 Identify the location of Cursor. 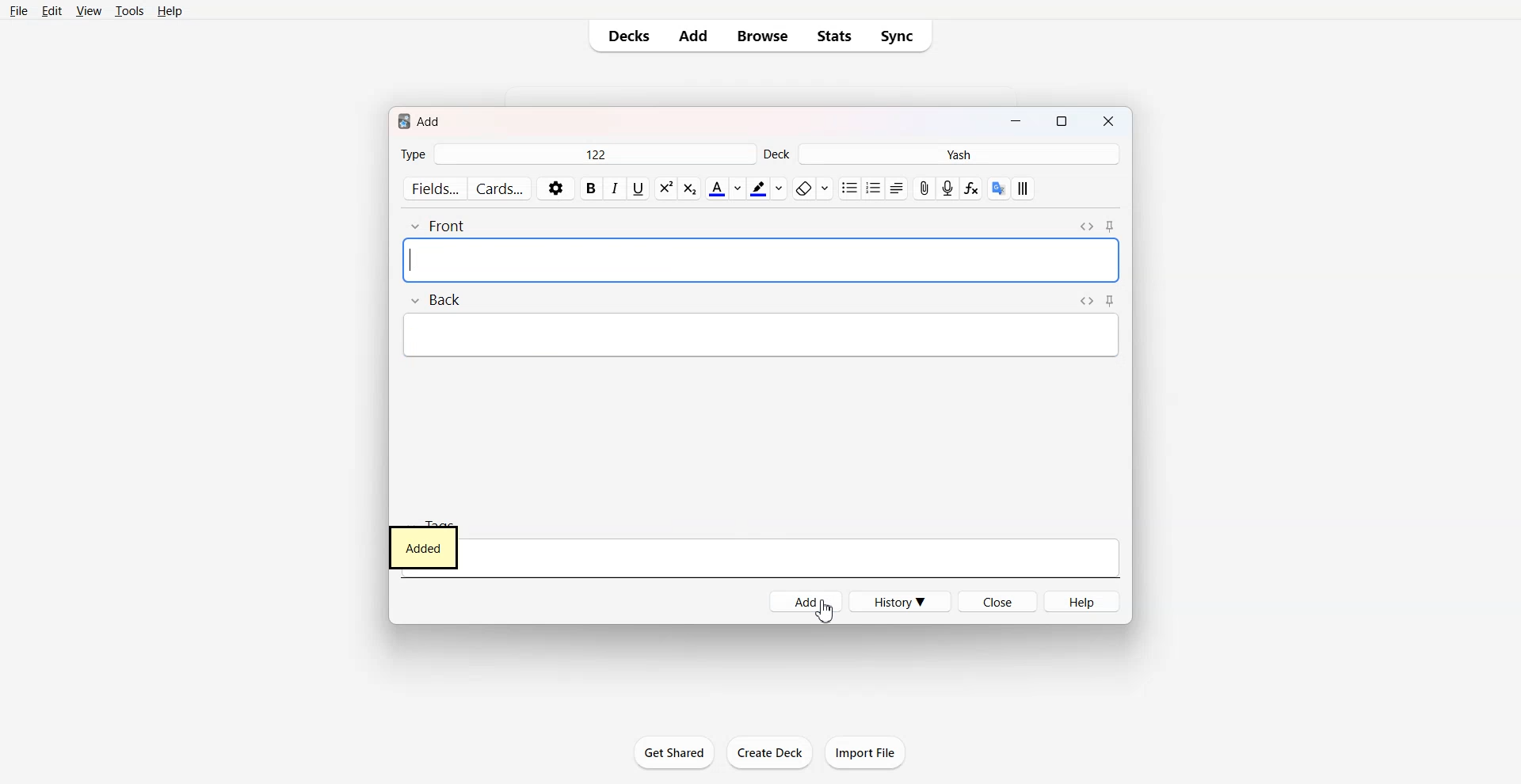
(823, 611).